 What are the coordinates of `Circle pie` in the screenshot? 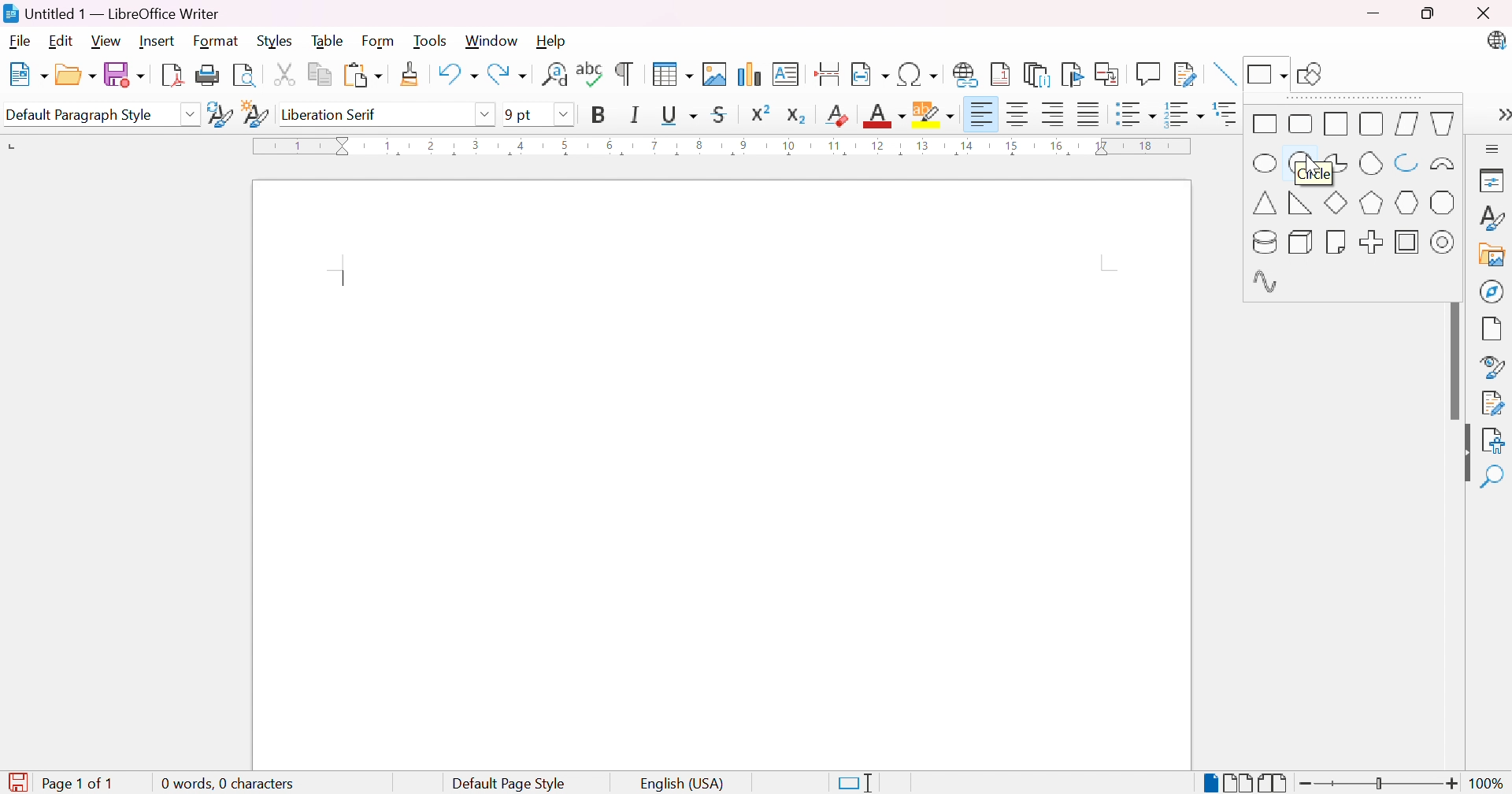 It's located at (1336, 163).